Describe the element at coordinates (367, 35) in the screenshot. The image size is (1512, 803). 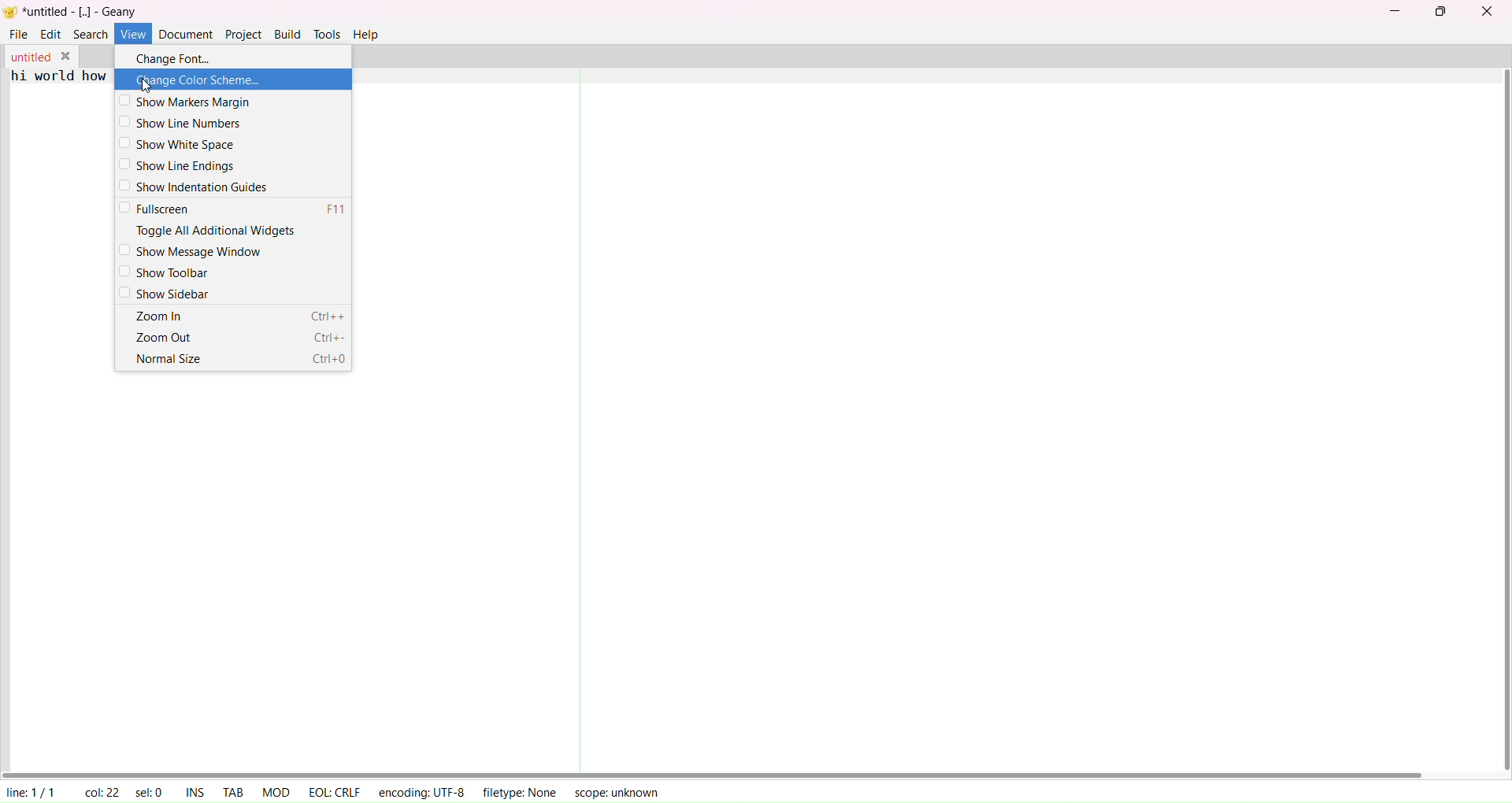
I see `help` at that location.